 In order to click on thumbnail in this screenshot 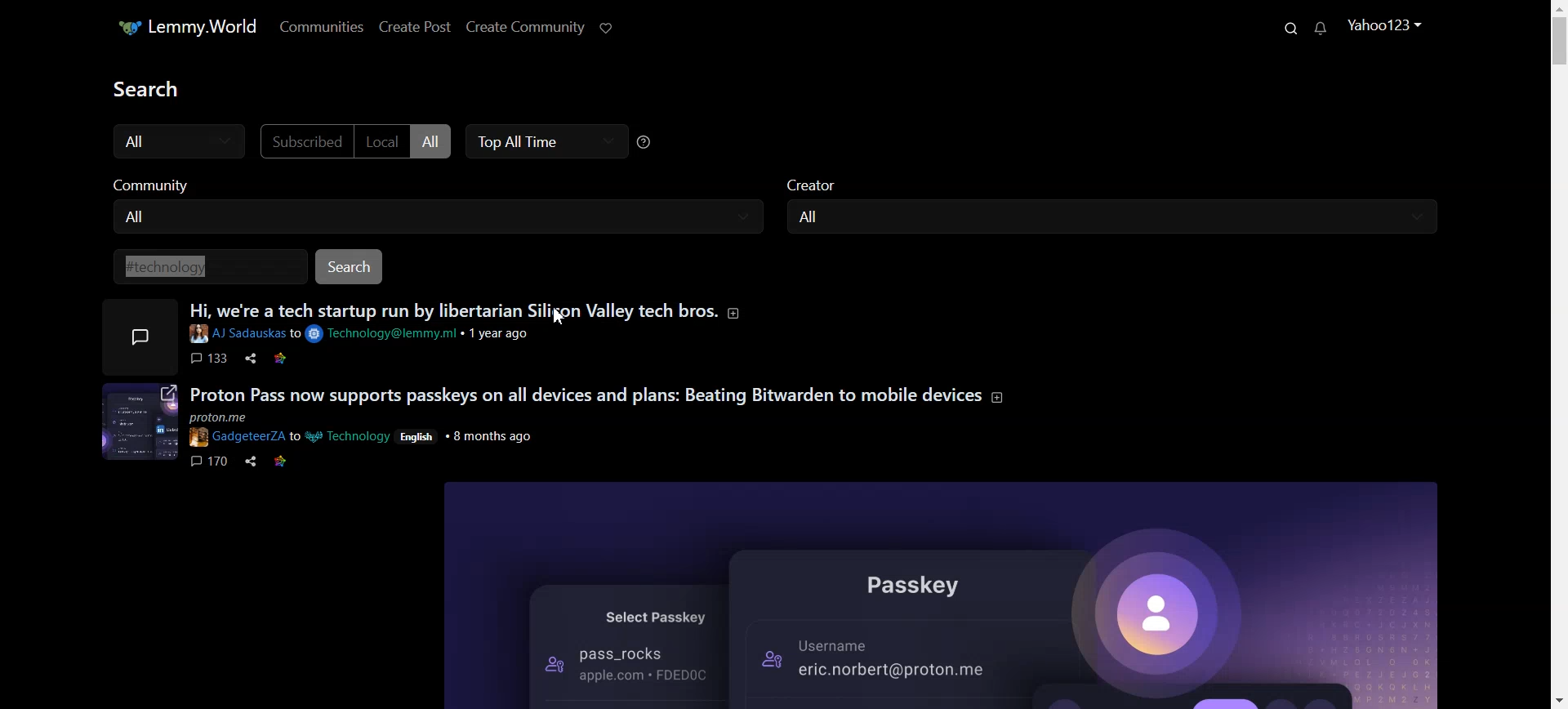, I will do `click(136, 421)`.